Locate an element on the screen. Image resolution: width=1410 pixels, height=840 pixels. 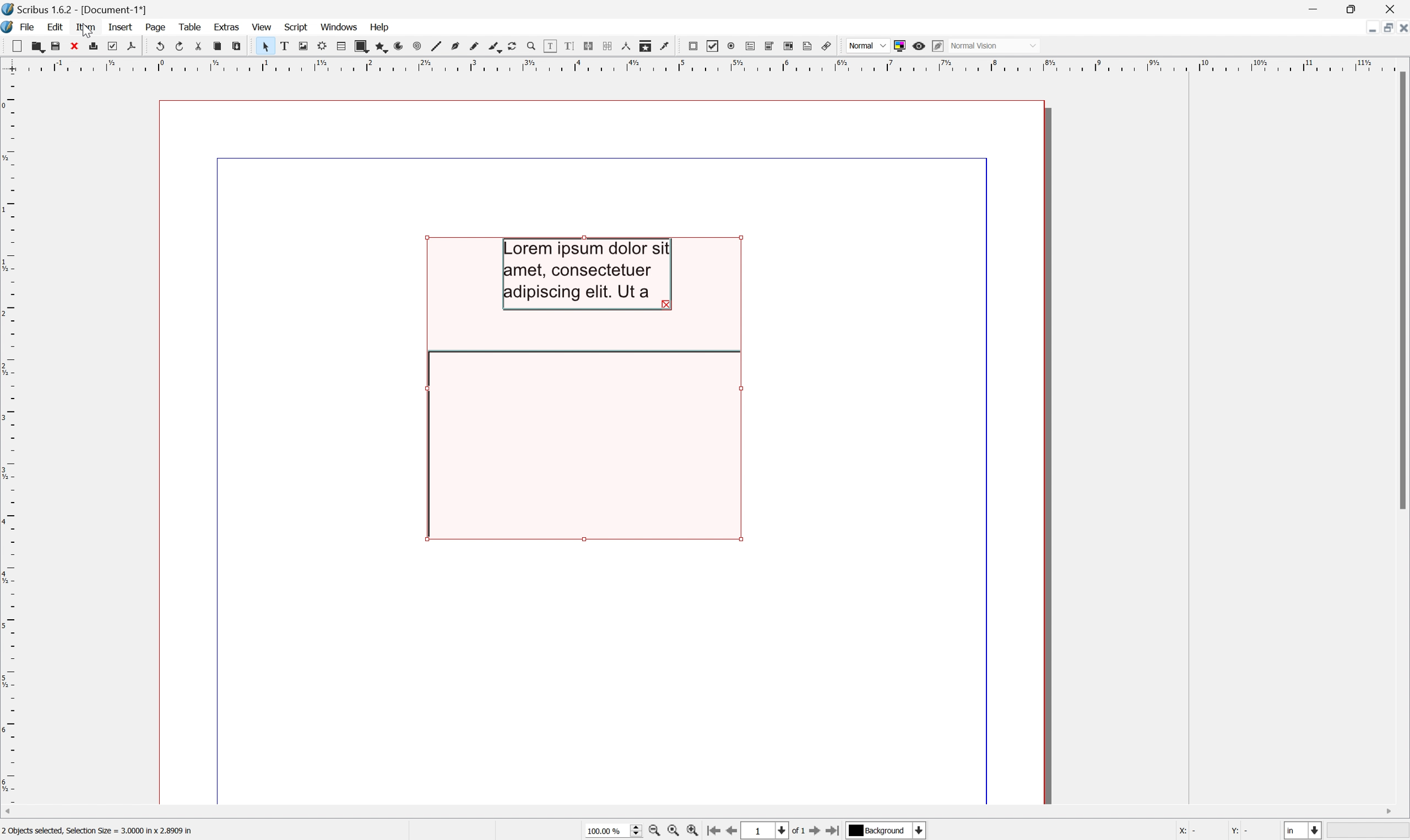
Normal mode is located at coordinates (997, 46).